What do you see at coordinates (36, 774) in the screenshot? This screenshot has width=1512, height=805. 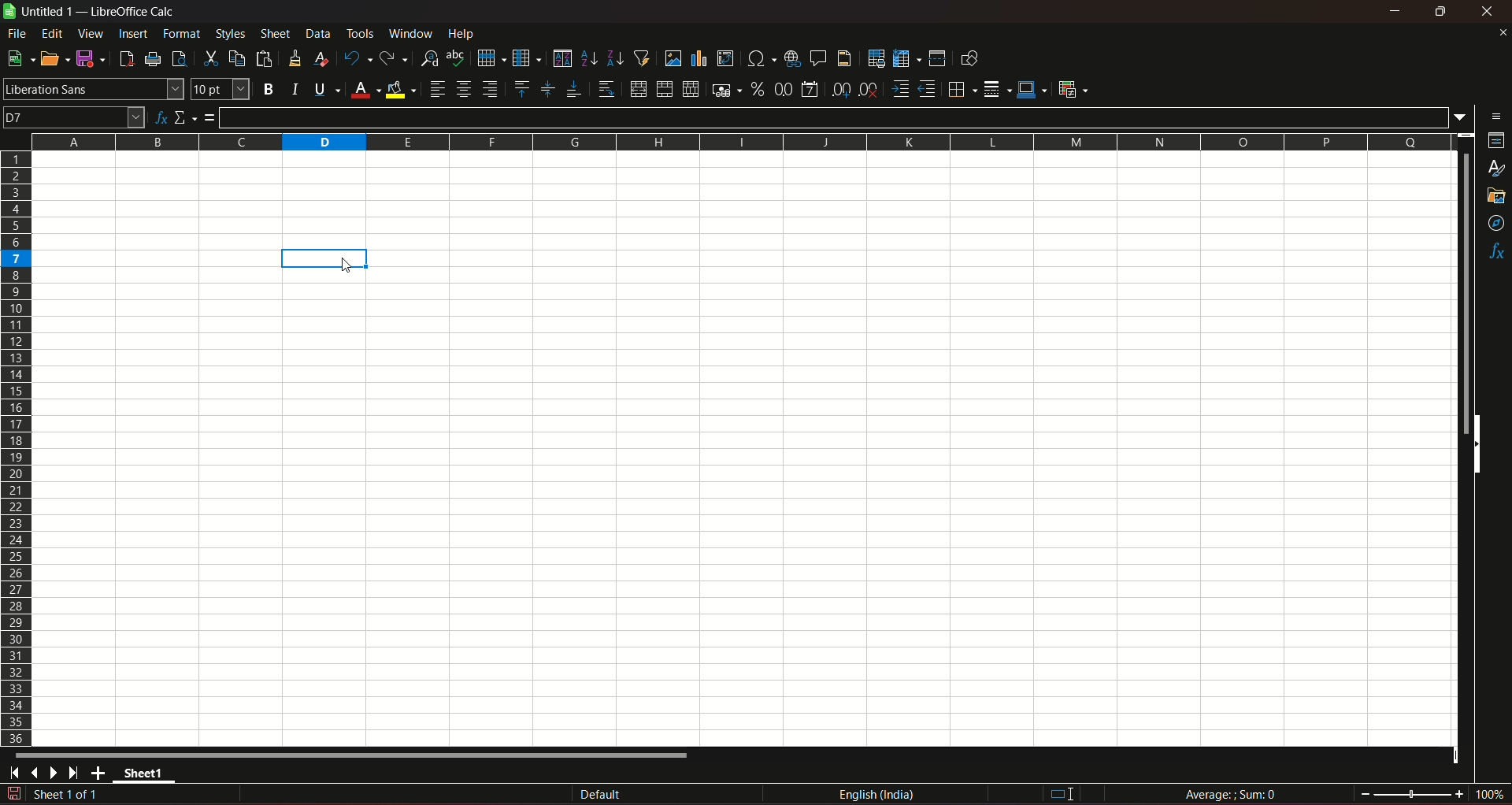 I see `scroll to previous` at bounding box center [36, 774].